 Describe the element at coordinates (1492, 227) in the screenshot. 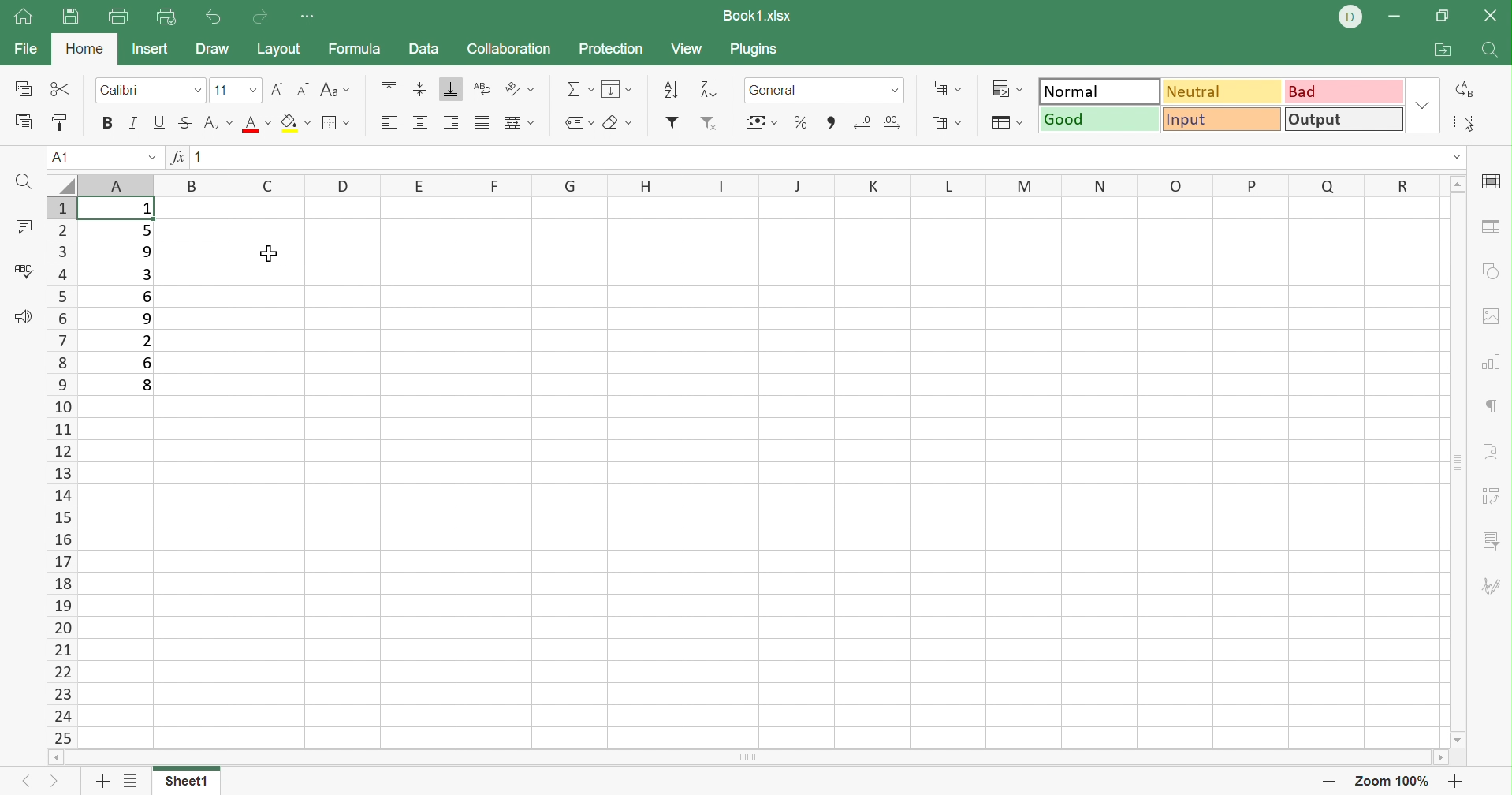

I see `Table settings` at that location.